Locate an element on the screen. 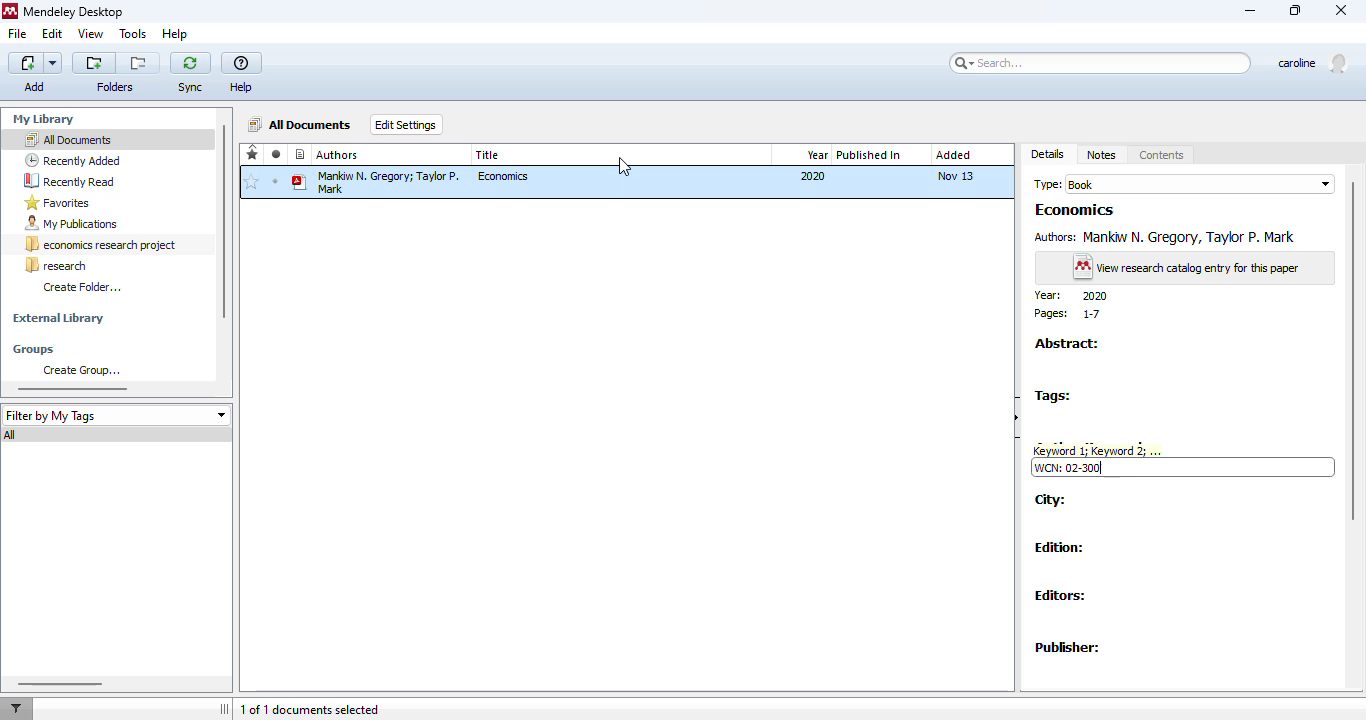 This screenshot has height=720, width=1366. 2020 is located at coordinates (814, 176).